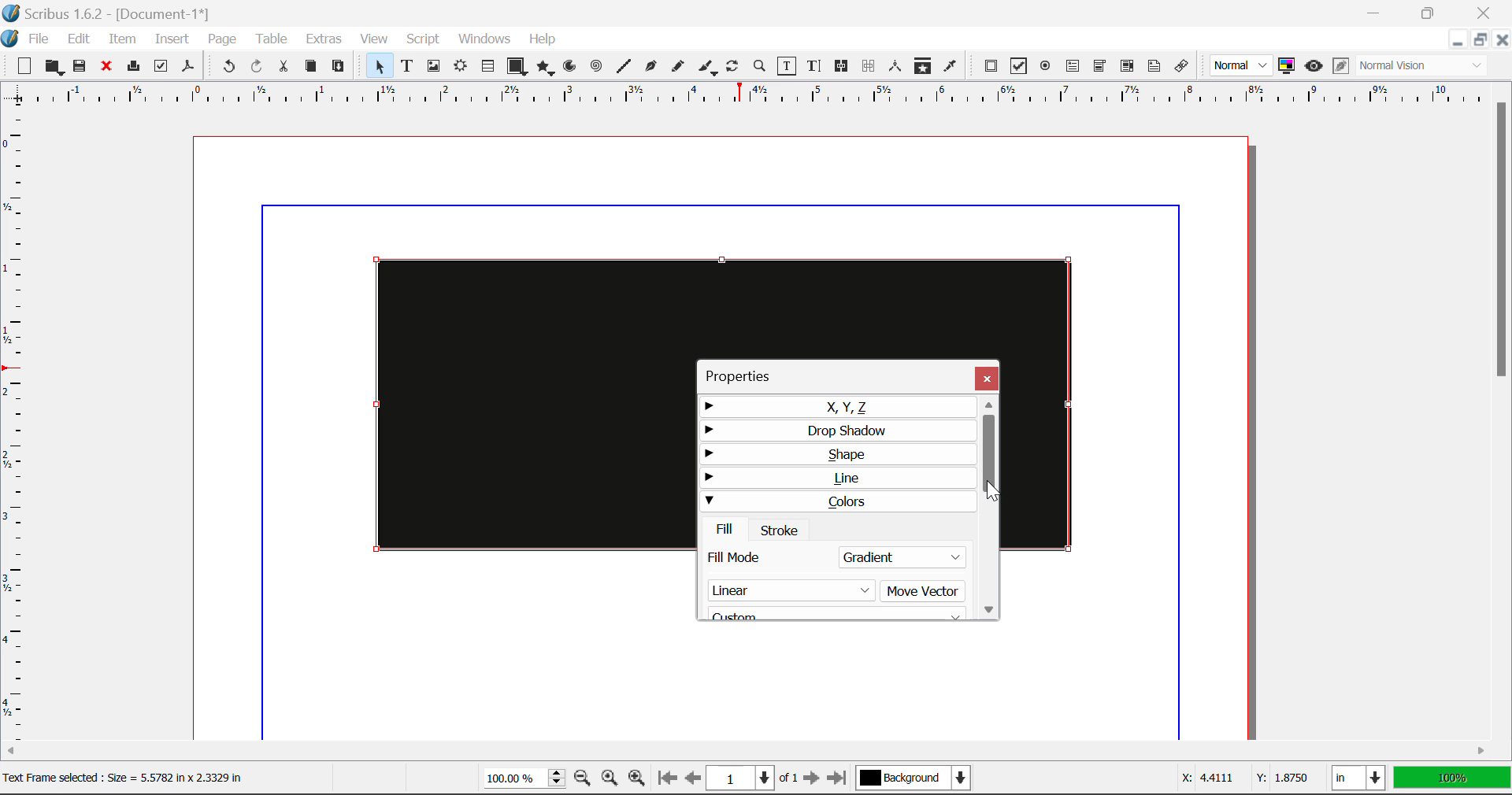 The height and width of the screenshot is (795, 1512). I want to click on Polygons, so click(545, 69).